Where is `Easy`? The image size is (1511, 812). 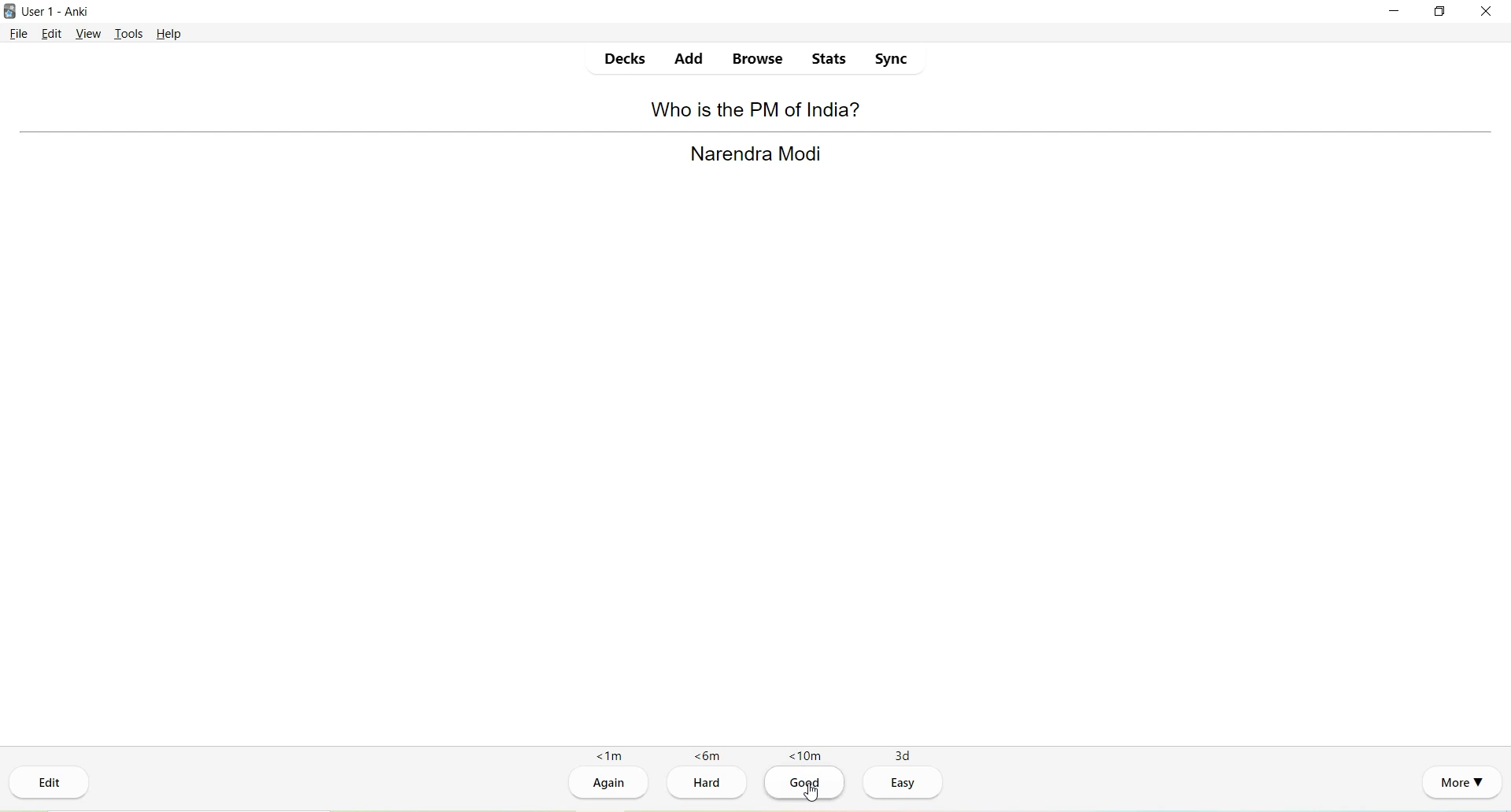 Easy is located at coordinates (902, 786).